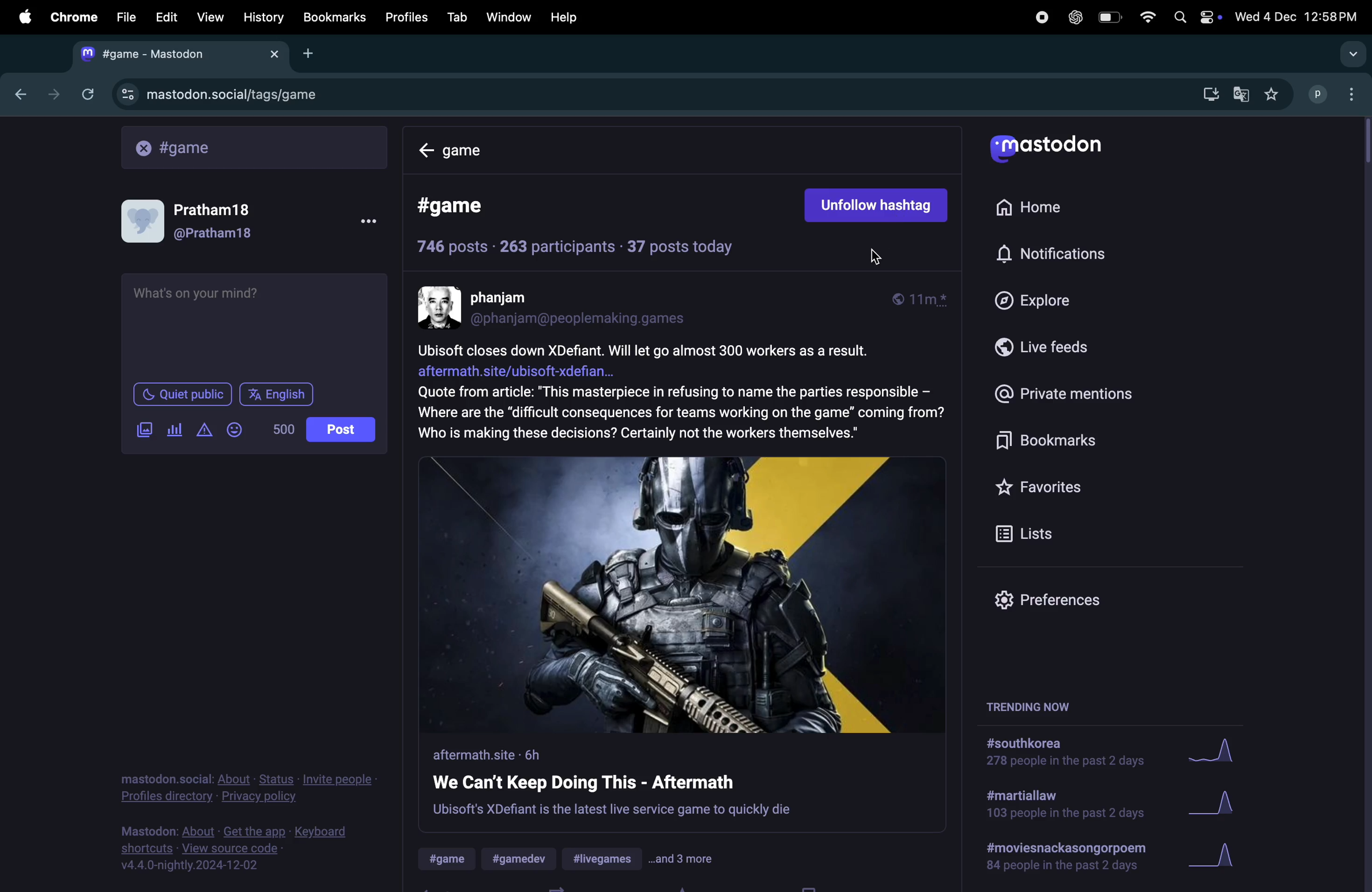 Image resolution: width=1372 pixels, height=892 pixels. I want to click on #south korea, so click(1058, 754).